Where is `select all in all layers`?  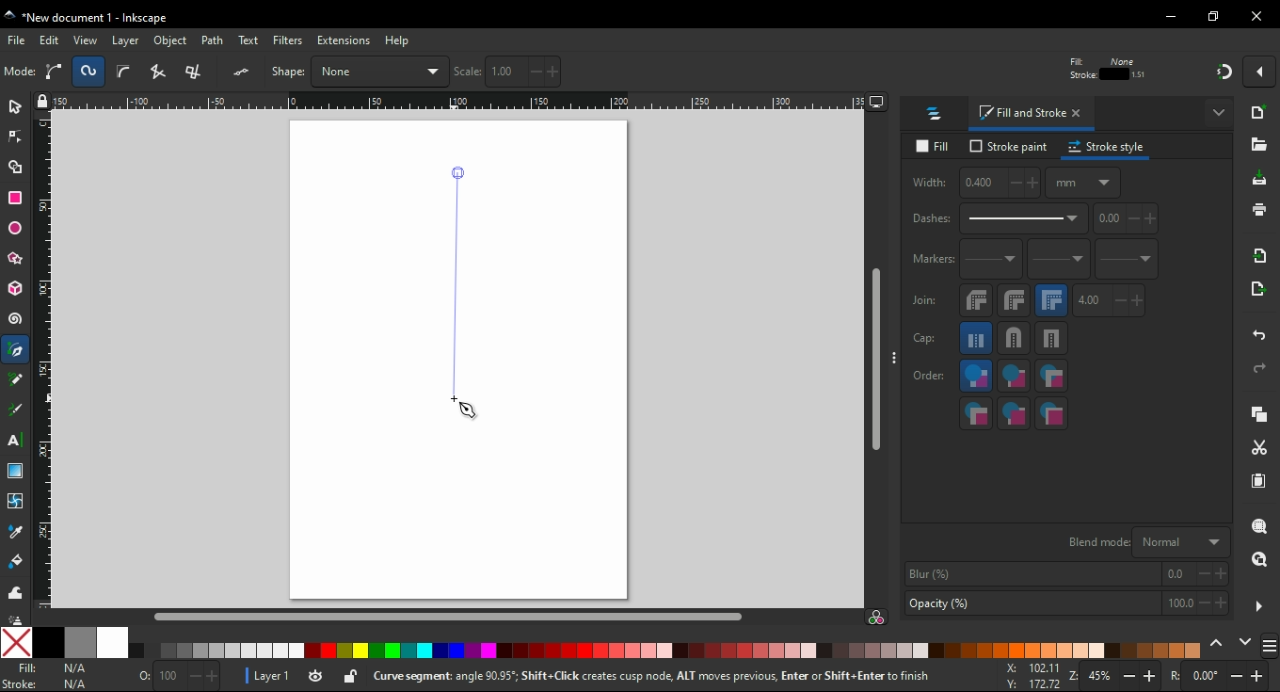
select all in all layers is located at coordinates (57, 71).